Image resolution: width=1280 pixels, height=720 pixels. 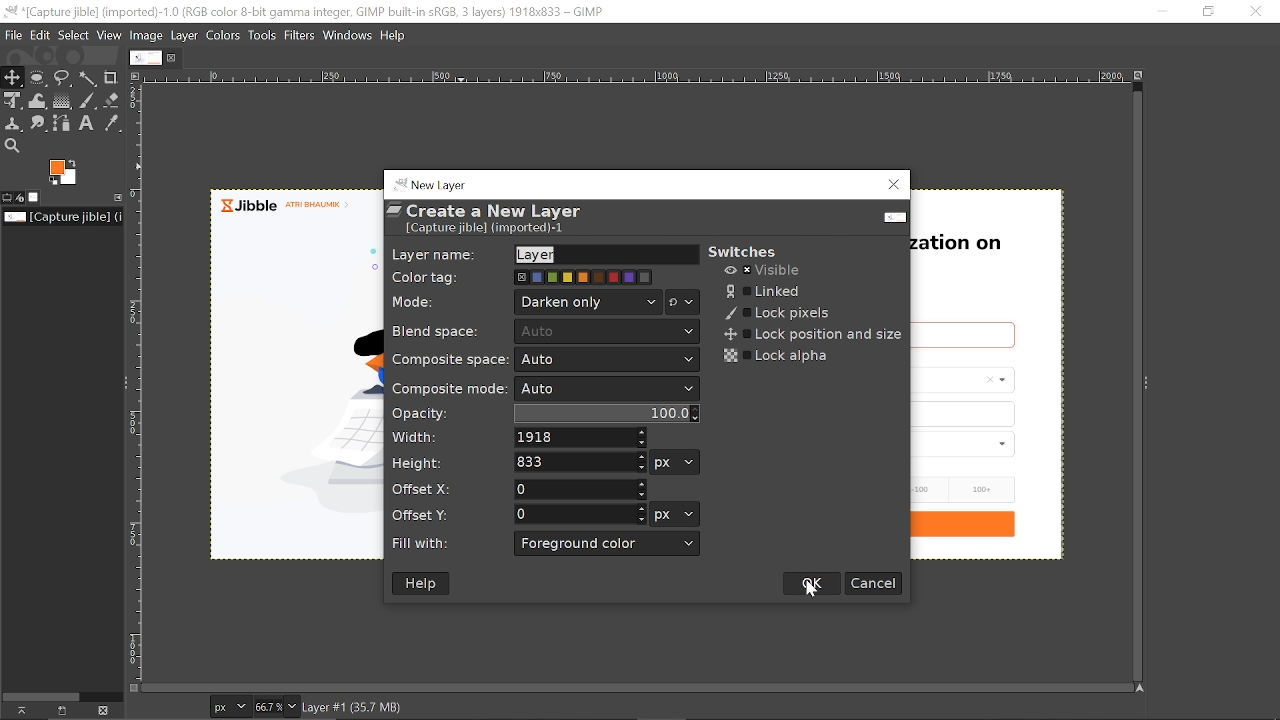 I want to click on Images, so click(x=34, y=197).